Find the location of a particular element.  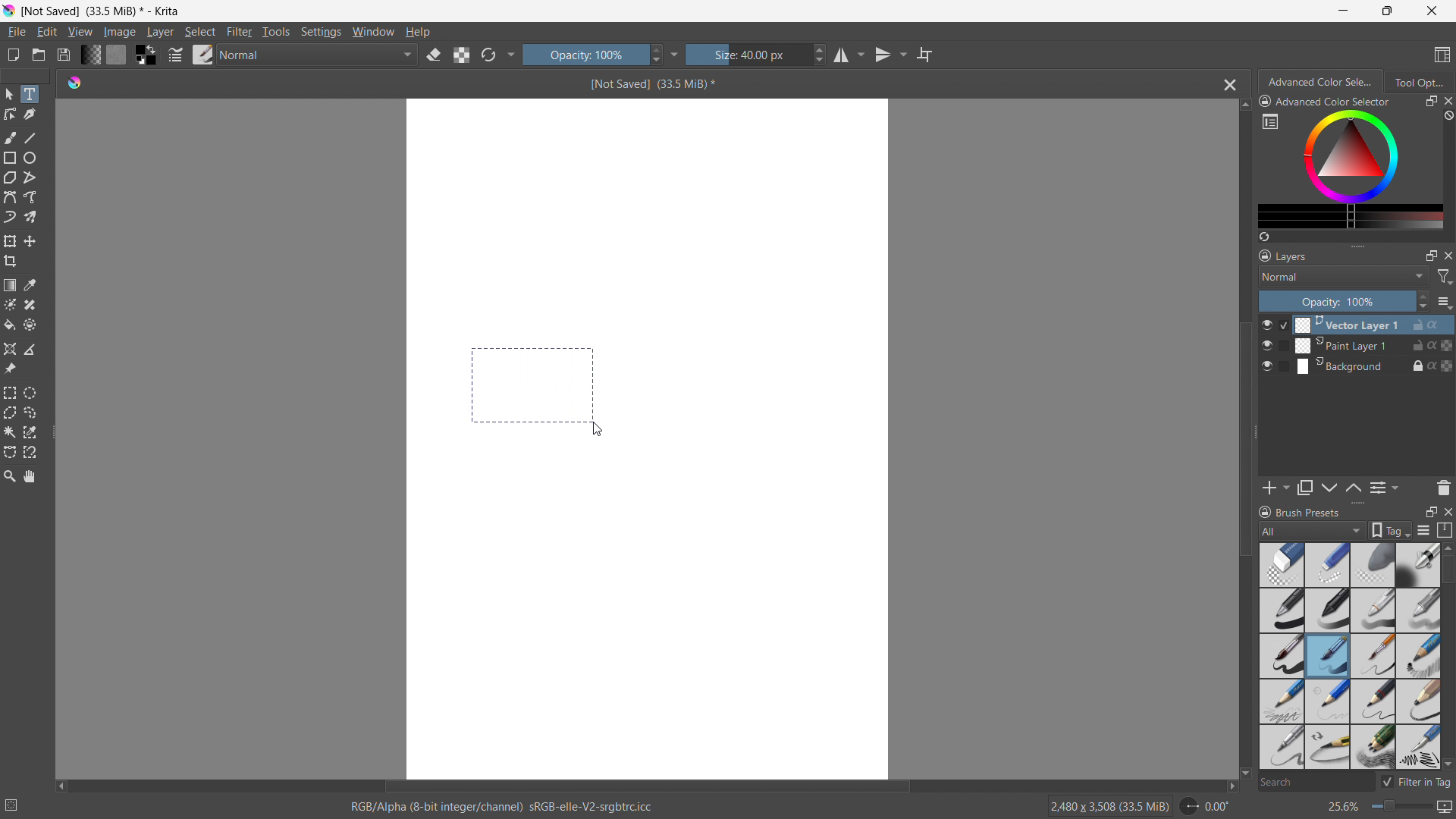

bold pen is located at coordinates (1281, 611).